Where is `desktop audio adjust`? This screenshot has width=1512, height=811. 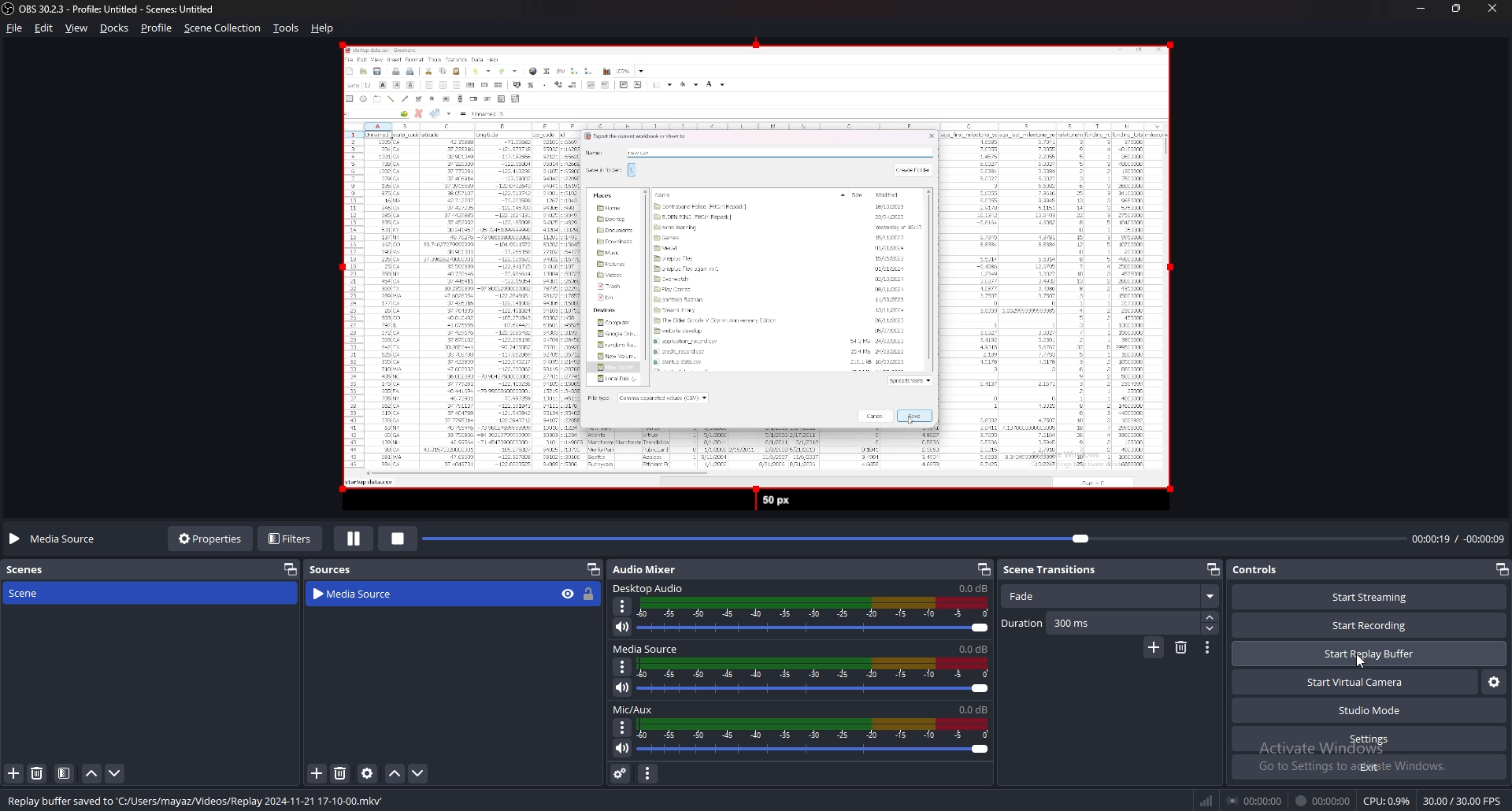 desktop audio adjust is located at coordinates (814, 616).